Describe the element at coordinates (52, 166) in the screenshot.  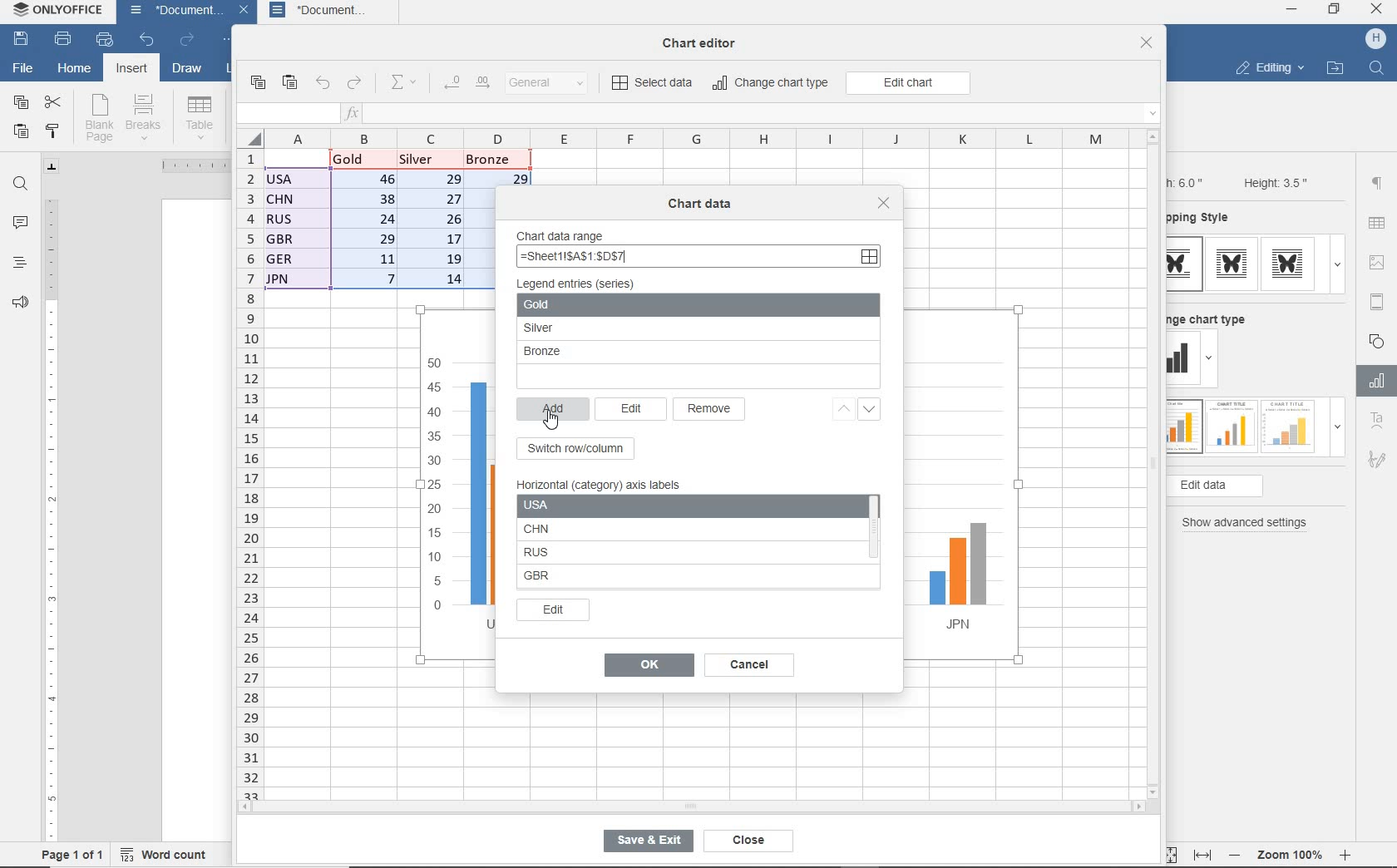
I see `tab stop` at that location.